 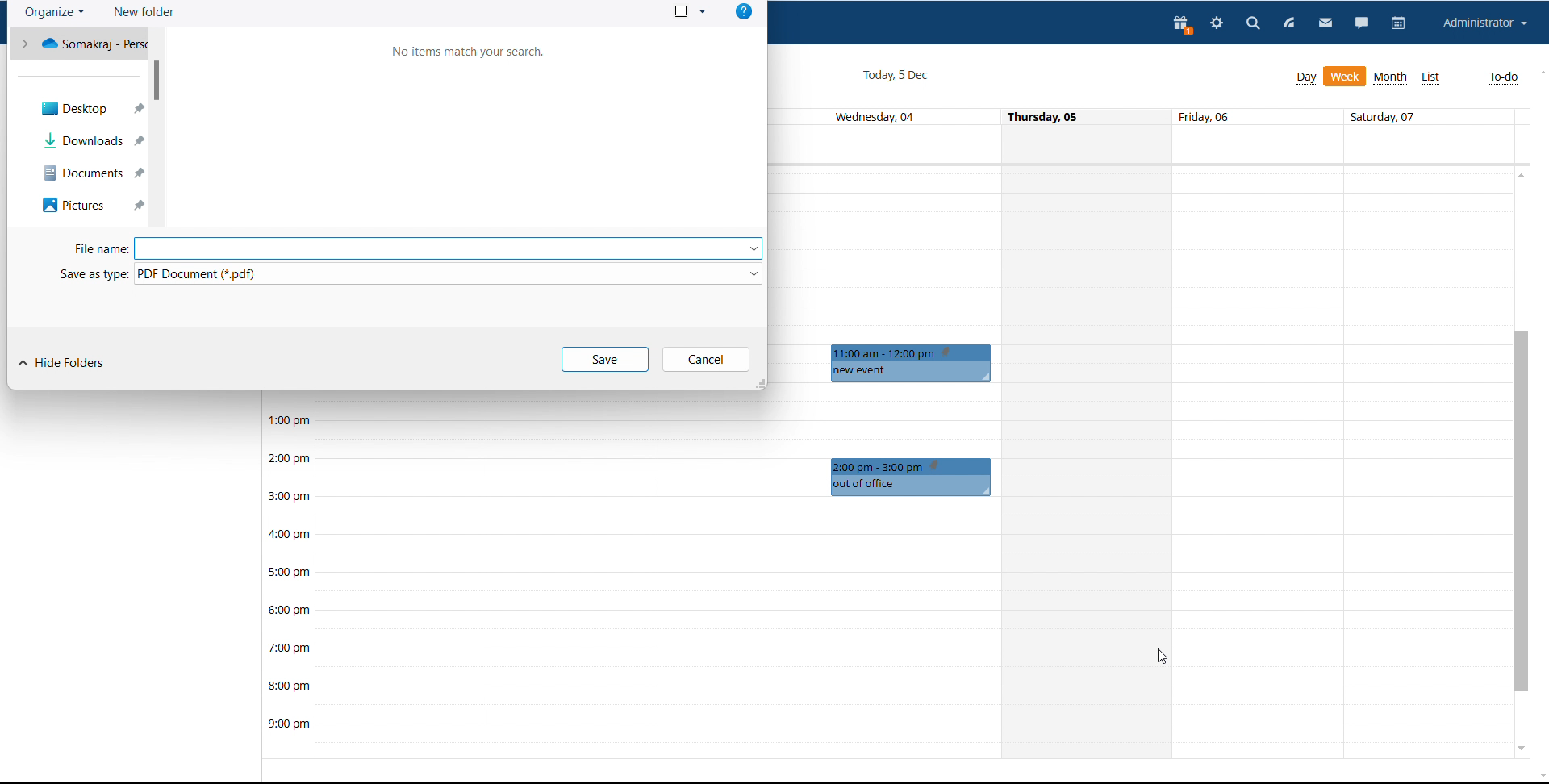 What do you see at coordinates (1289, 23) in the screenshot?
I see `feed` at bounding box center [1289, 23].